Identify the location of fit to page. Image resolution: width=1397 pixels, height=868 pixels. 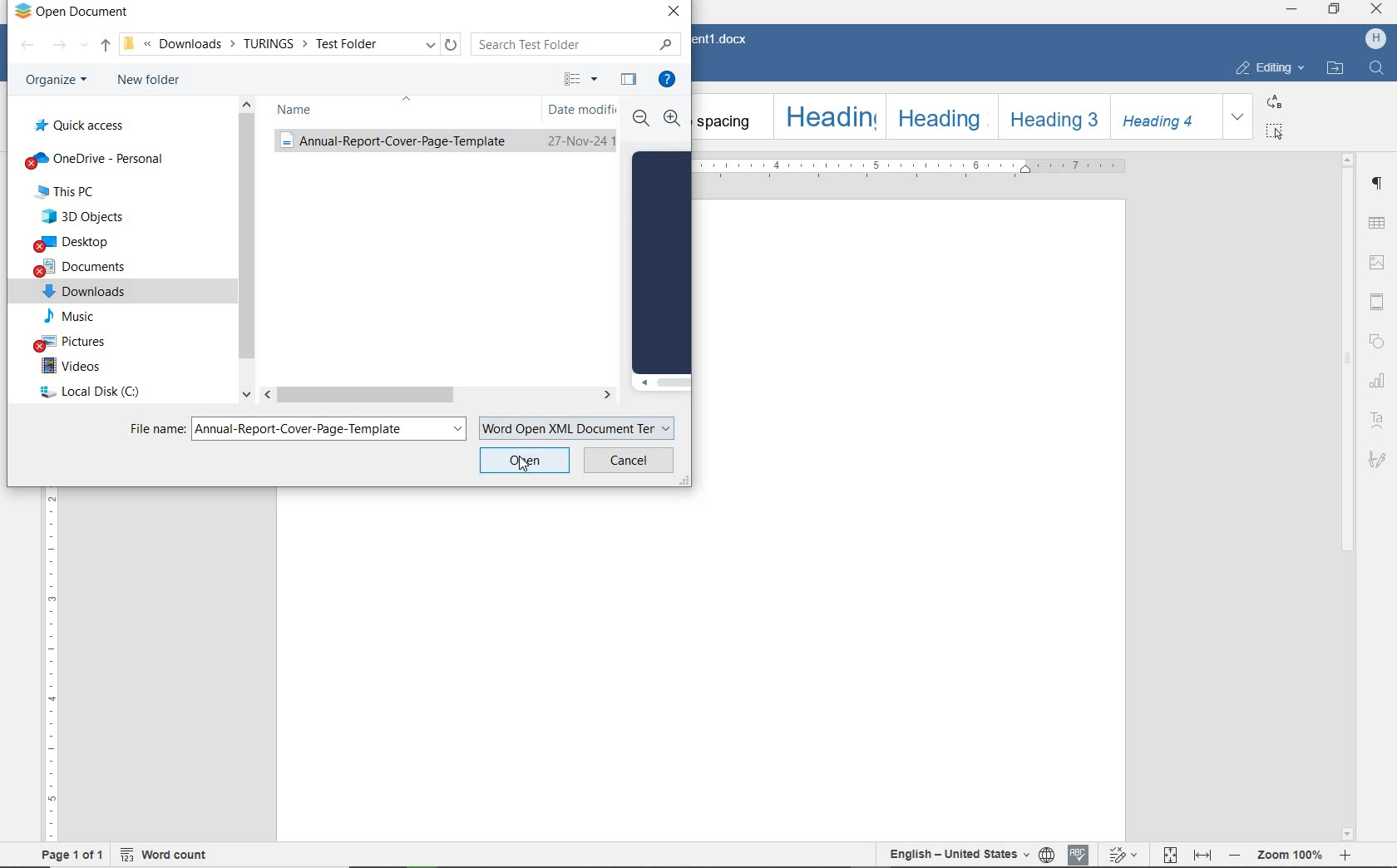
(1169, 856).